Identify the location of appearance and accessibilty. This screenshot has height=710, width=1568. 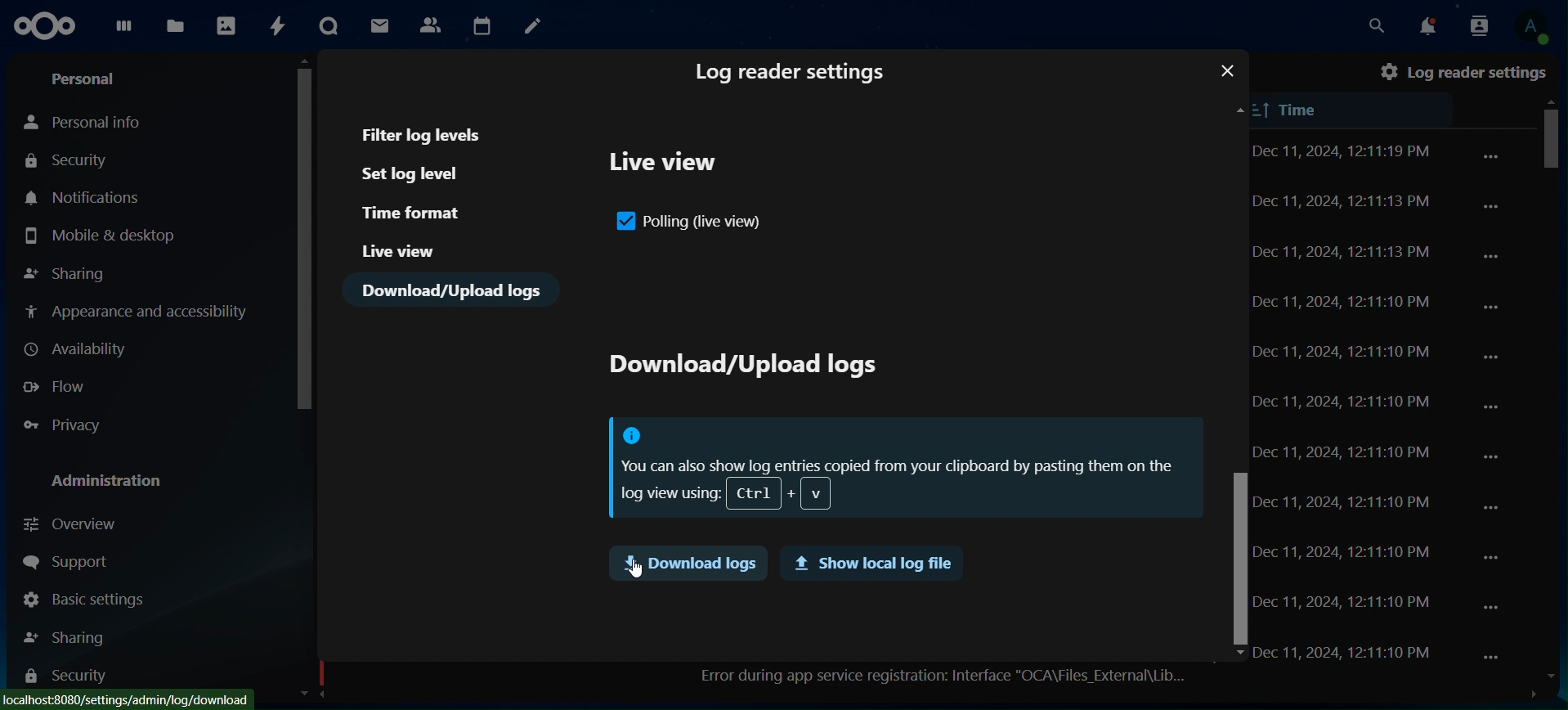
(140, 312).